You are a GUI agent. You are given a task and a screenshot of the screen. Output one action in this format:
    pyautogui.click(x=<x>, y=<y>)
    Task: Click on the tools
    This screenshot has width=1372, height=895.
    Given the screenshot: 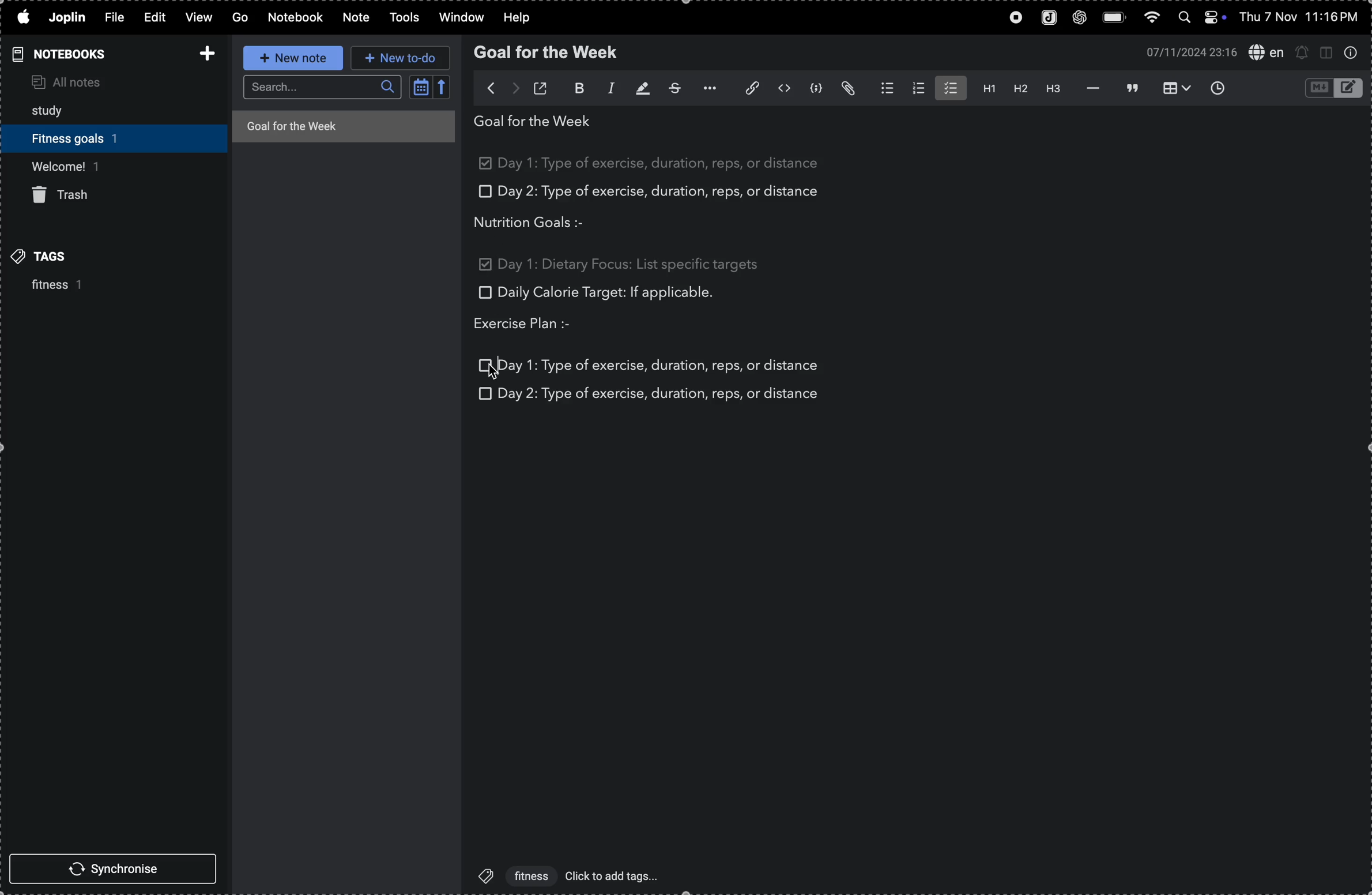 What is the action you would take?
    pyautogui.click(x=402, y=18)
    